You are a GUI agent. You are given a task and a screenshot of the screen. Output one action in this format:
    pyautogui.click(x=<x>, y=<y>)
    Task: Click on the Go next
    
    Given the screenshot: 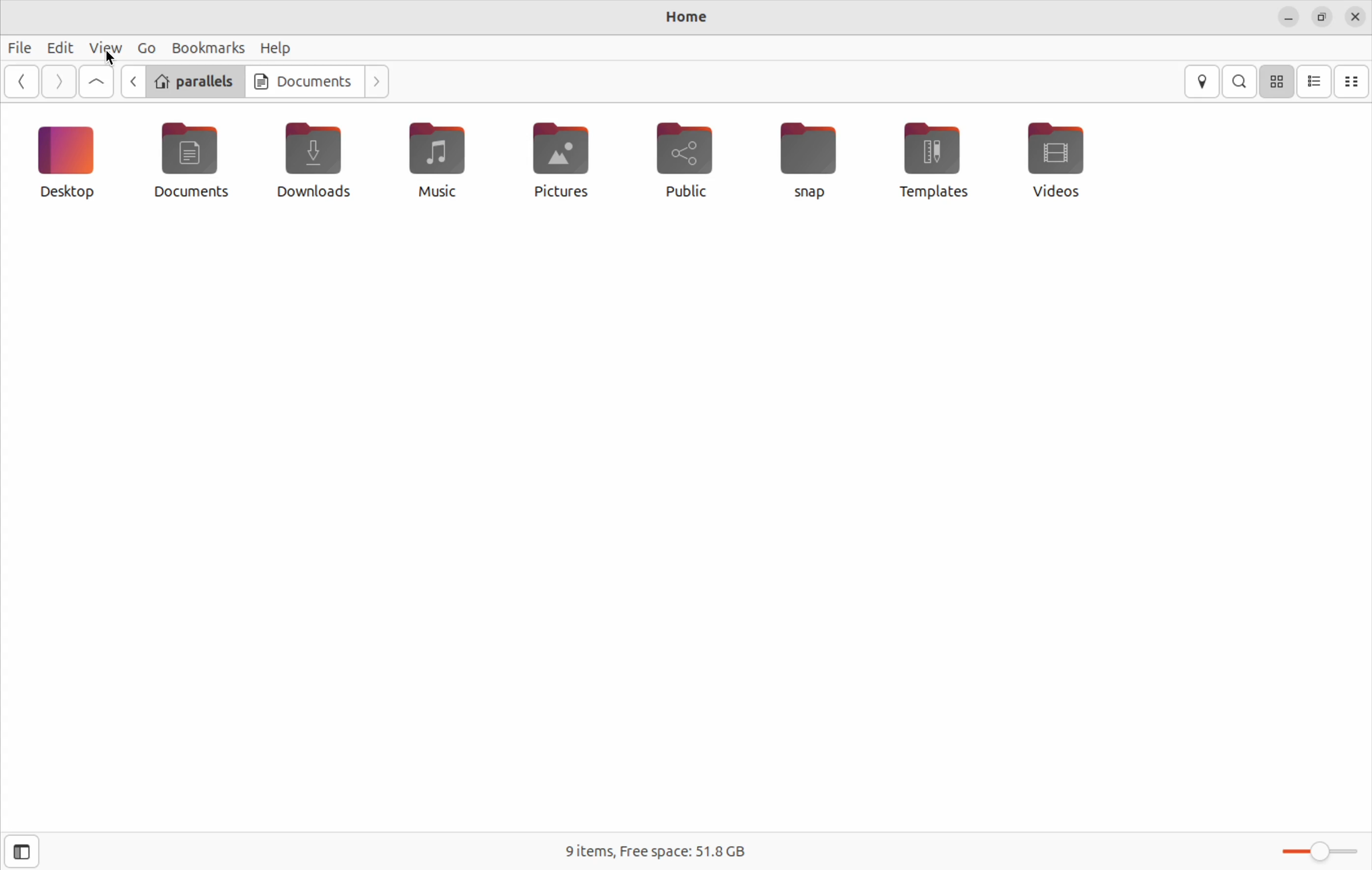 What is the action you would take?
    pyautogui.click(x=59, y=82)
    